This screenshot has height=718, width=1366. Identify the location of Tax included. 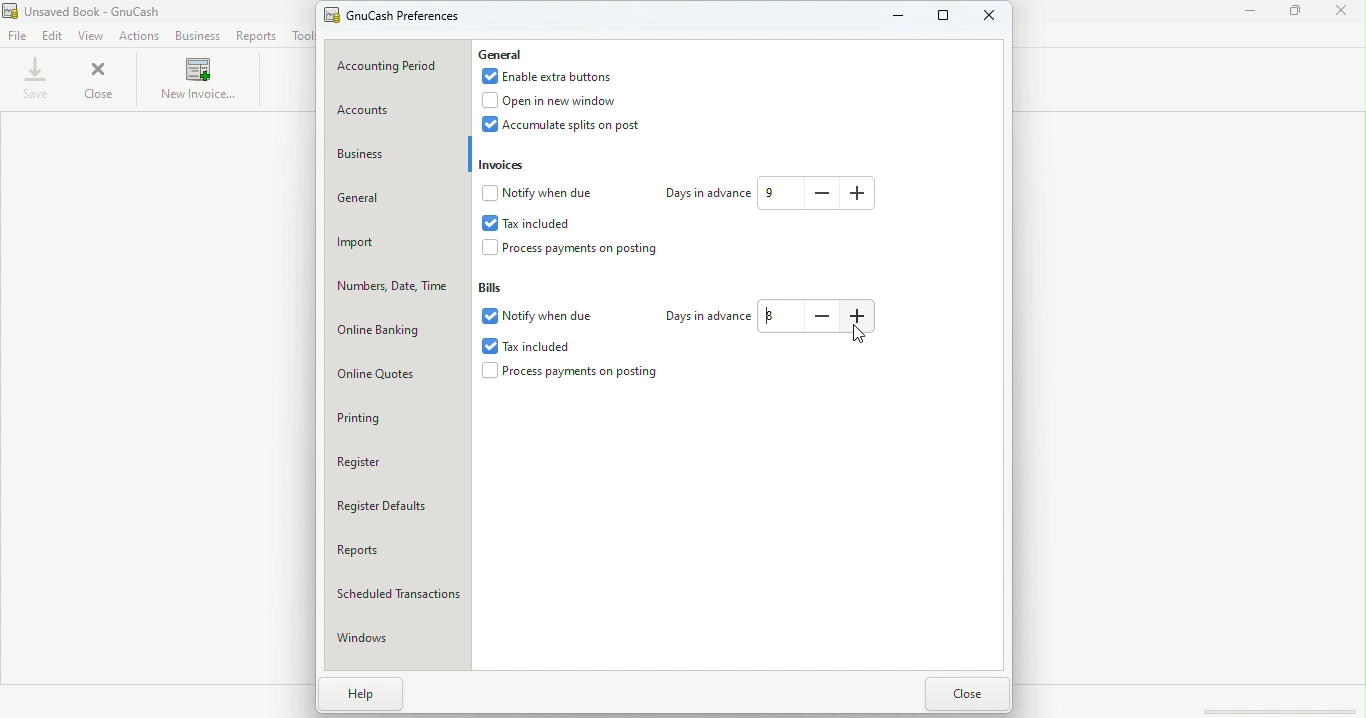
(531, 346).